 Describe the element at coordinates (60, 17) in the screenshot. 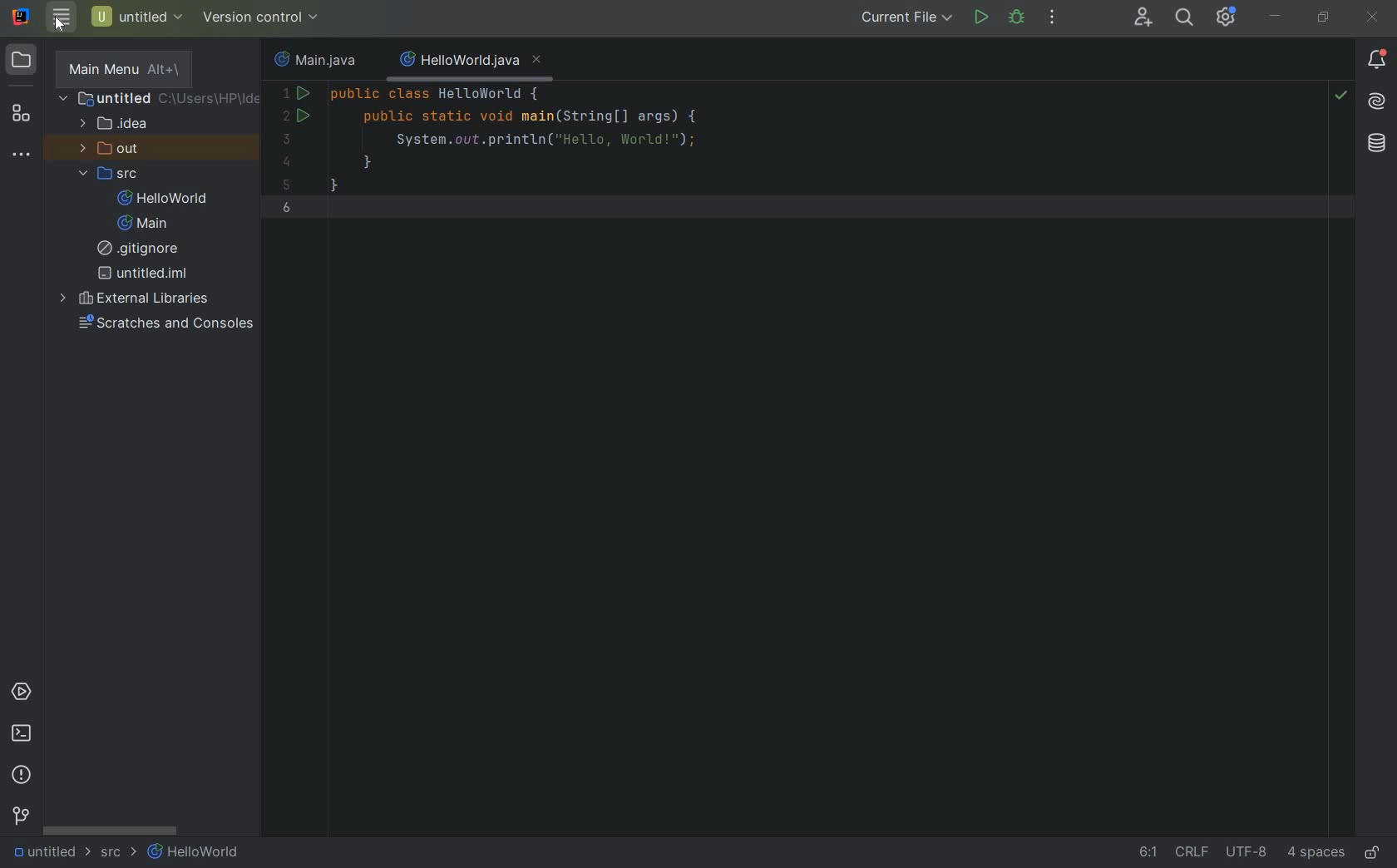

I see `MAIN MENU` at that location.